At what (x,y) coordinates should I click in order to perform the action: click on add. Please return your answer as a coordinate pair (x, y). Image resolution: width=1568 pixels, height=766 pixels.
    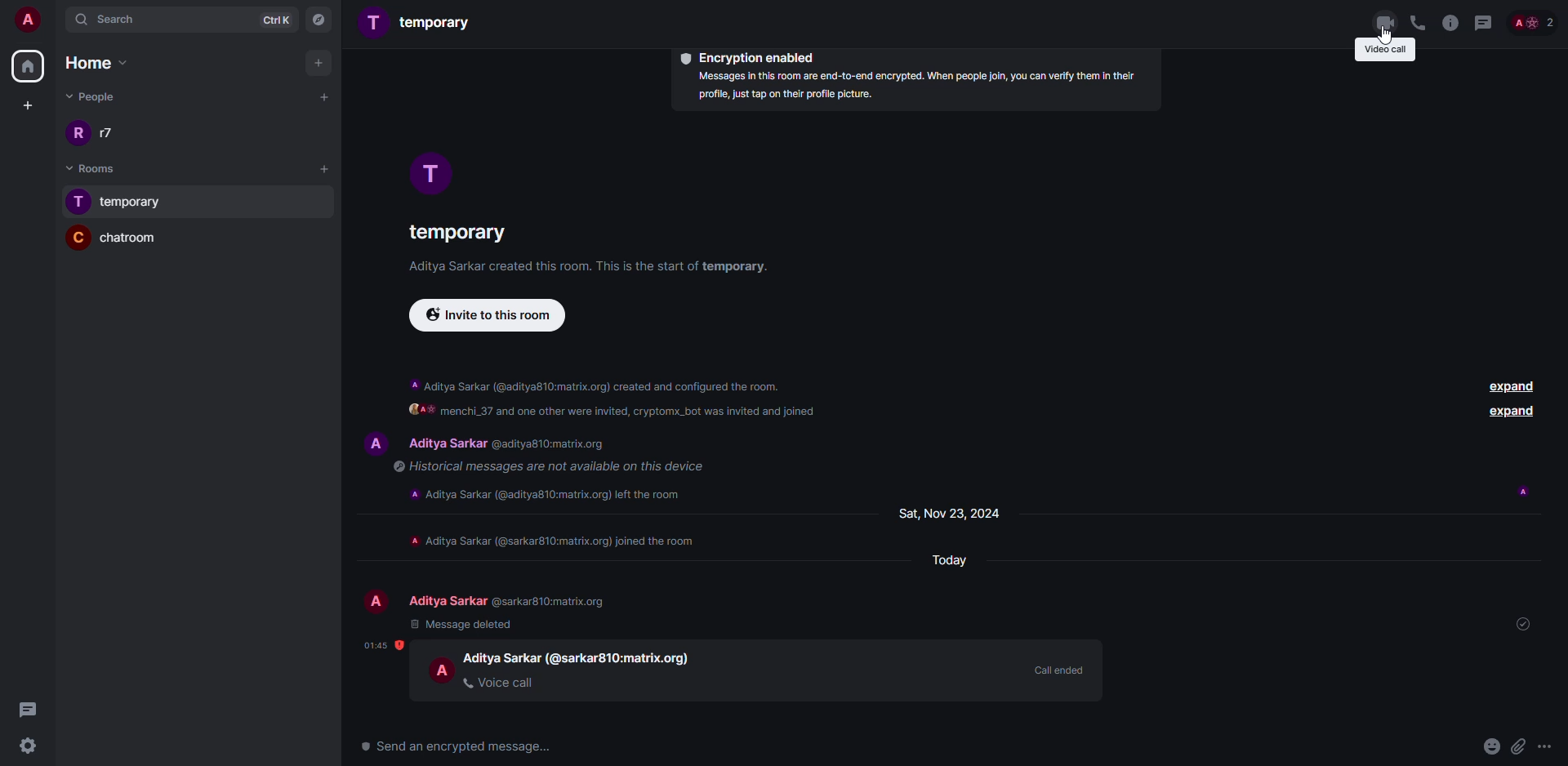
    Looking at the image, I should click on (321, 96).